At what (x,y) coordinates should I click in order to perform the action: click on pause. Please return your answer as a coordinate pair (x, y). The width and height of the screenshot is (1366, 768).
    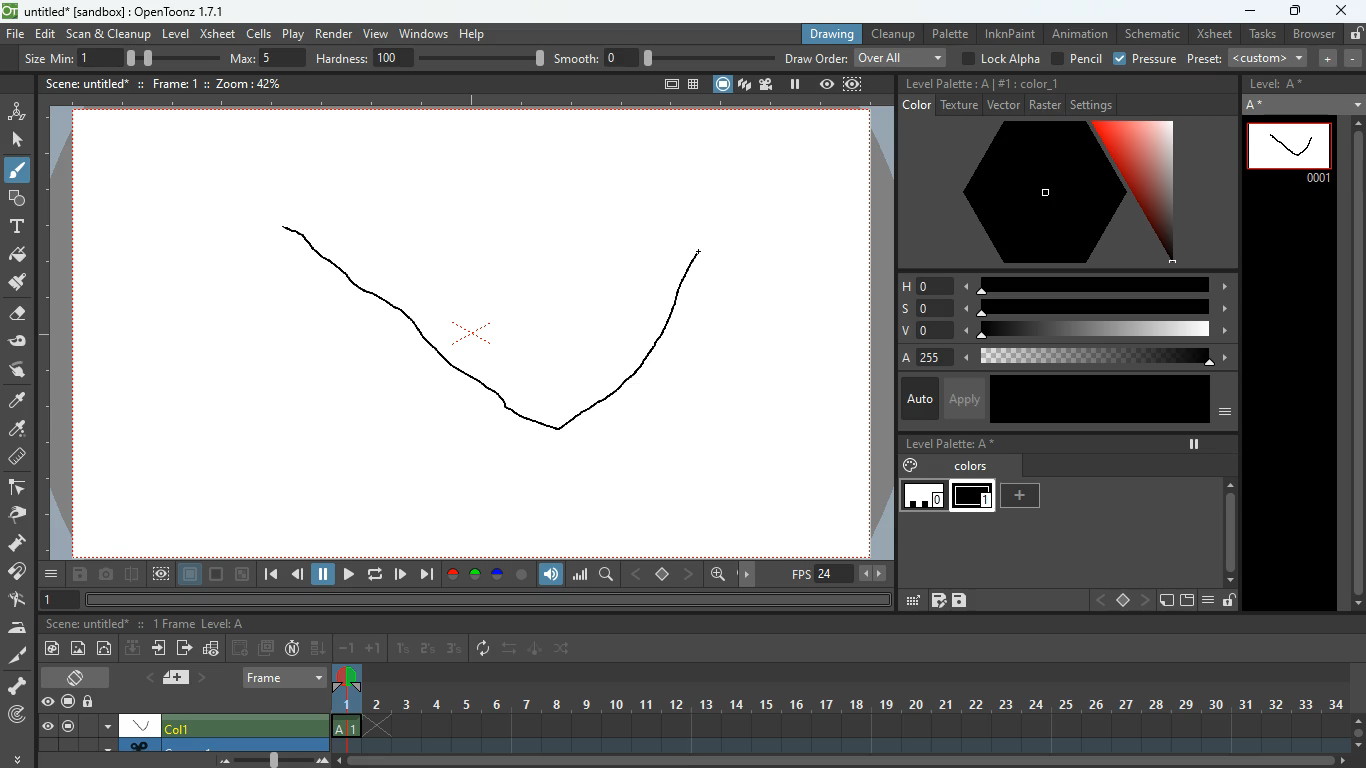
    Looking at the image, I should click on (795, 84).